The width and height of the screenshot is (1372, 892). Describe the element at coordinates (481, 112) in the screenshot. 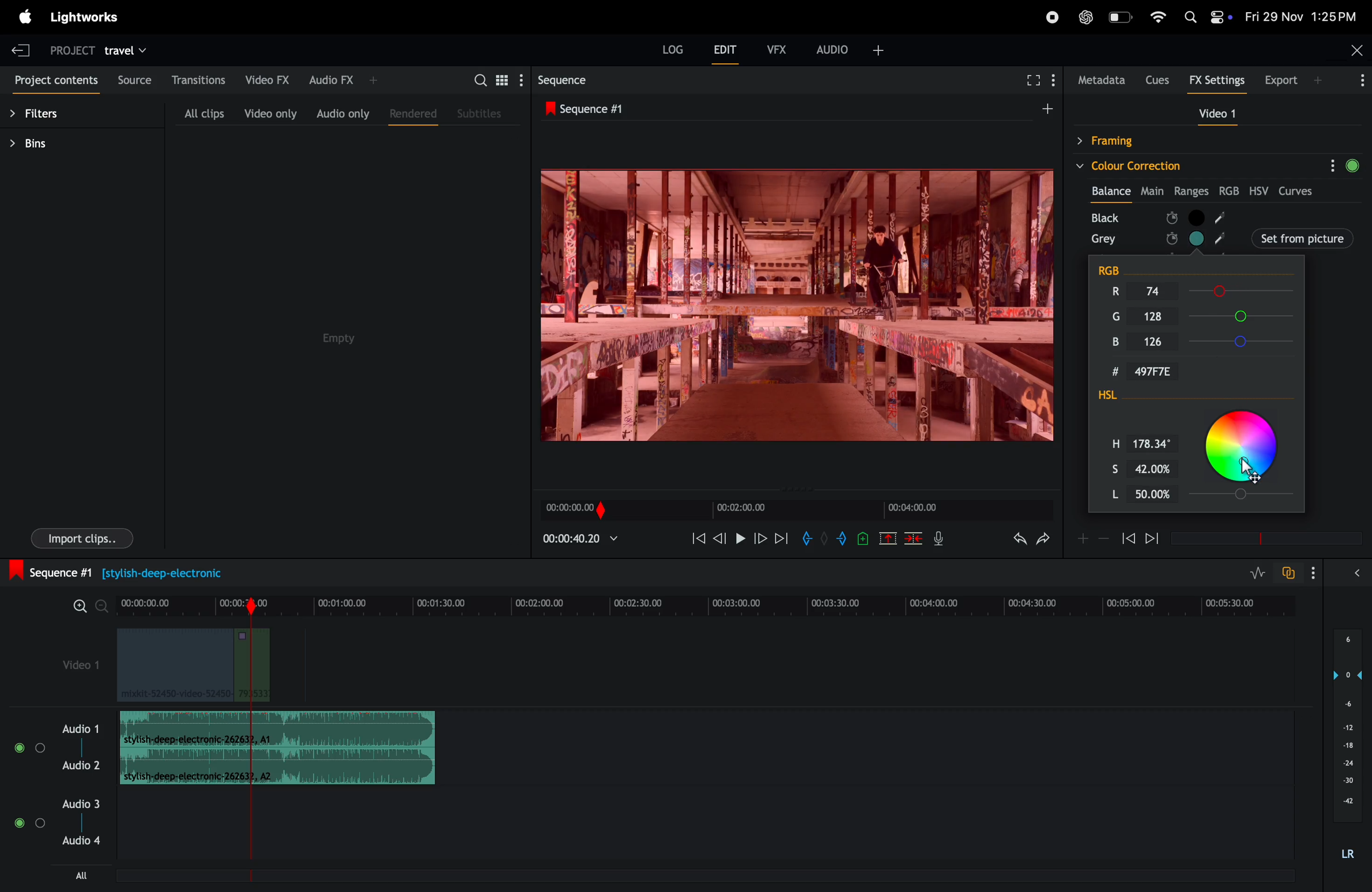

I see `subtitles` at that location.